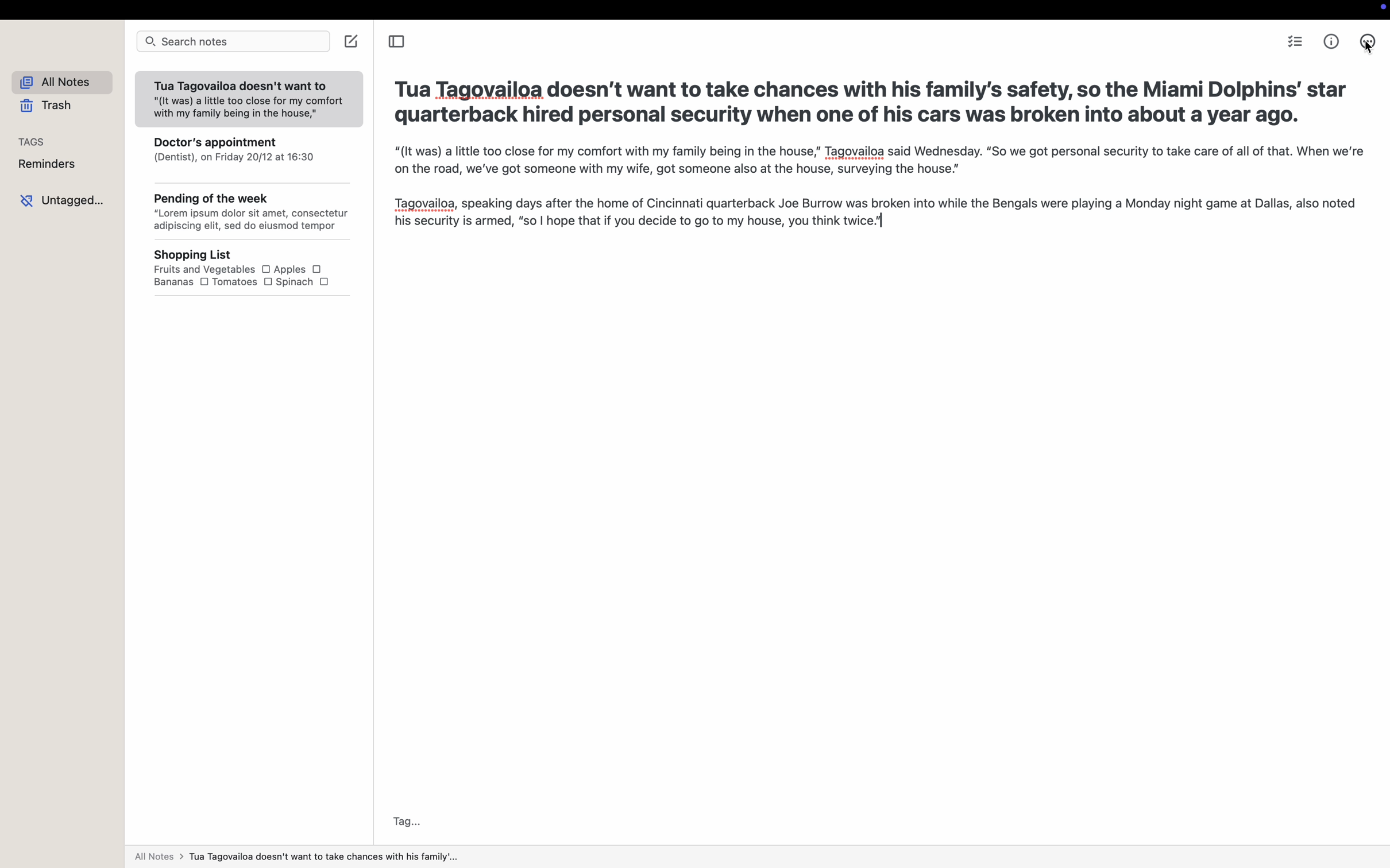 This screenshot has width=1390, height=868. I want to click on check list, so click(1297, 43).